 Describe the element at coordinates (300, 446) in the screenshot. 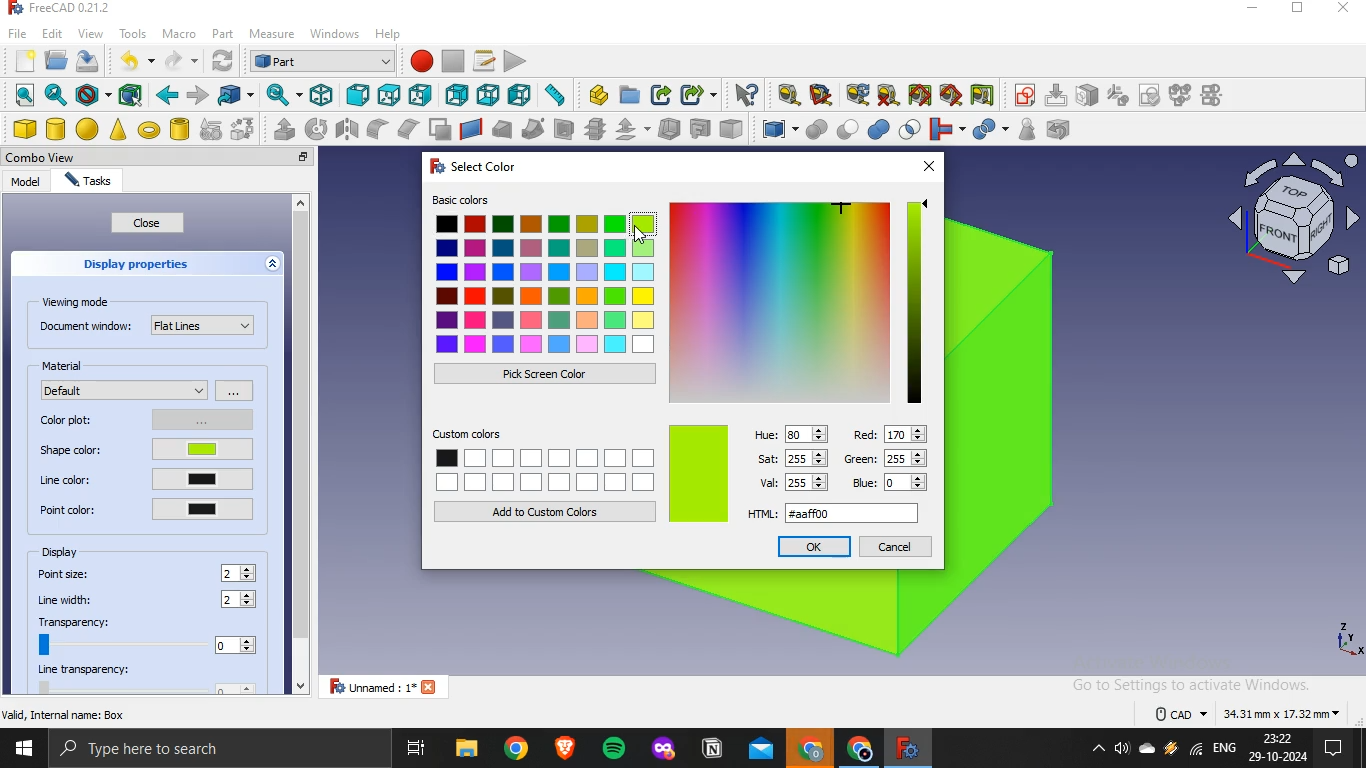

I see `scrollbar` at that location.